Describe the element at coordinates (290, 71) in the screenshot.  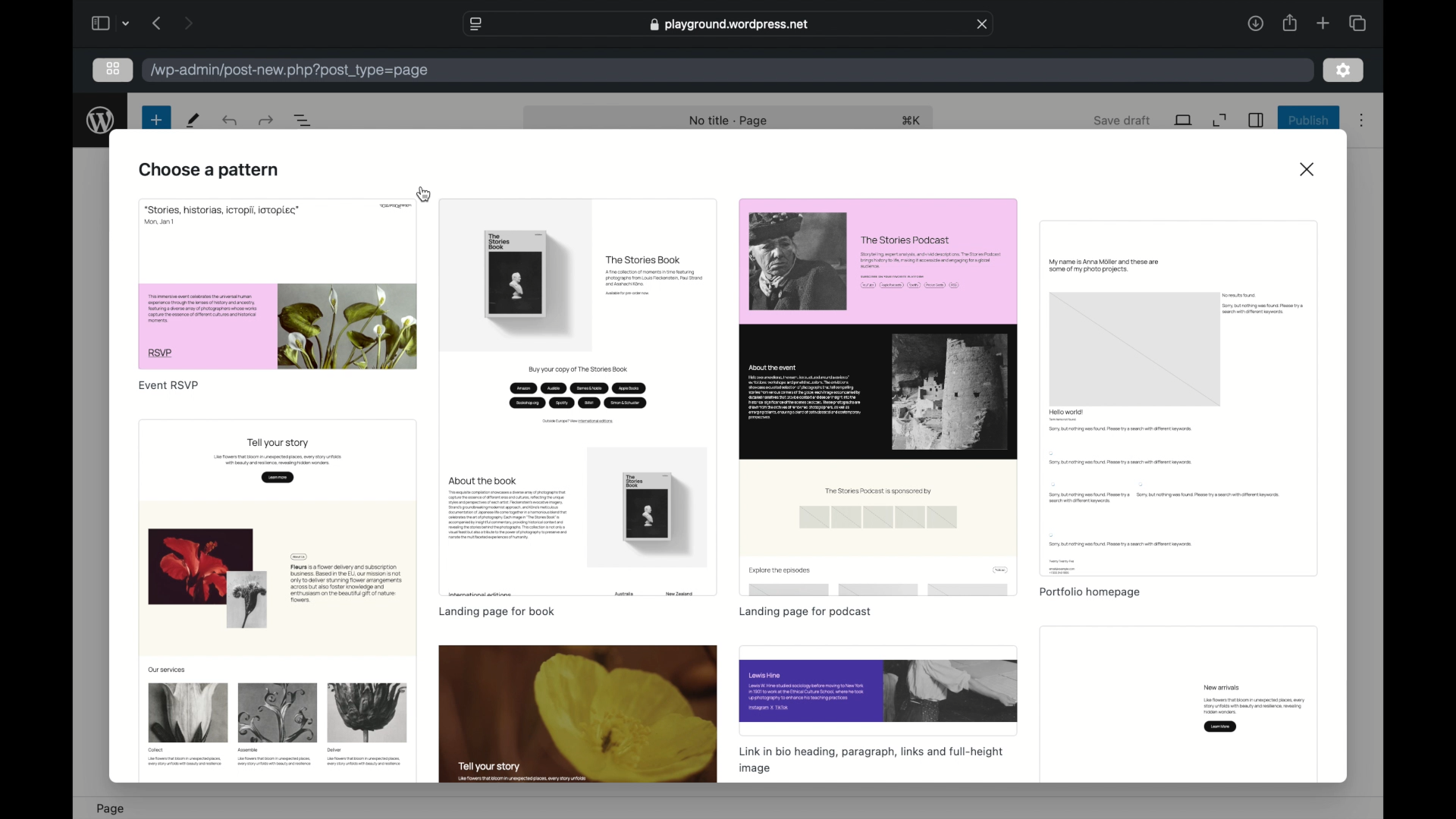
I see `wordpress address` at that location.